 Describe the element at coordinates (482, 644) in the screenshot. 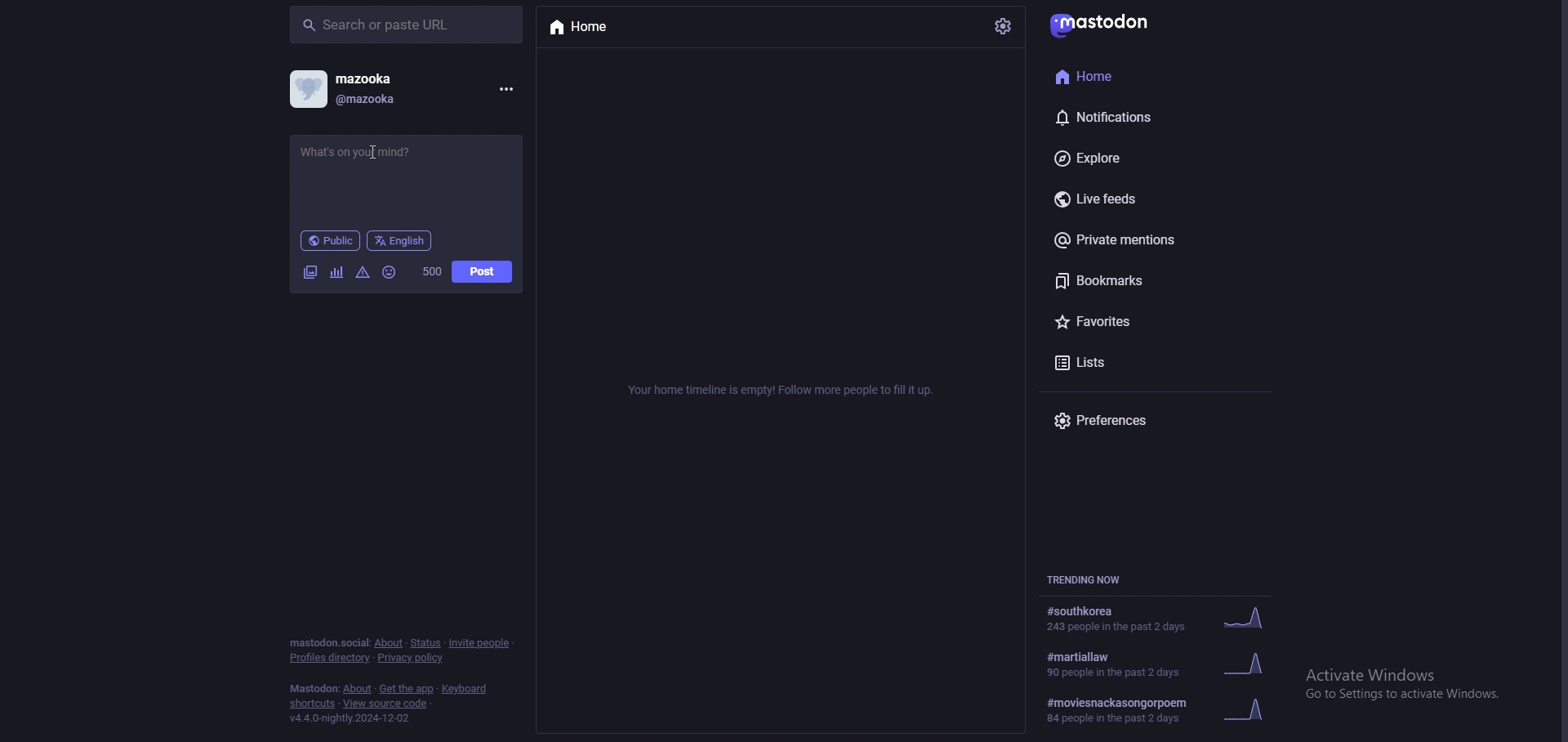

I see `invite people` at that location.